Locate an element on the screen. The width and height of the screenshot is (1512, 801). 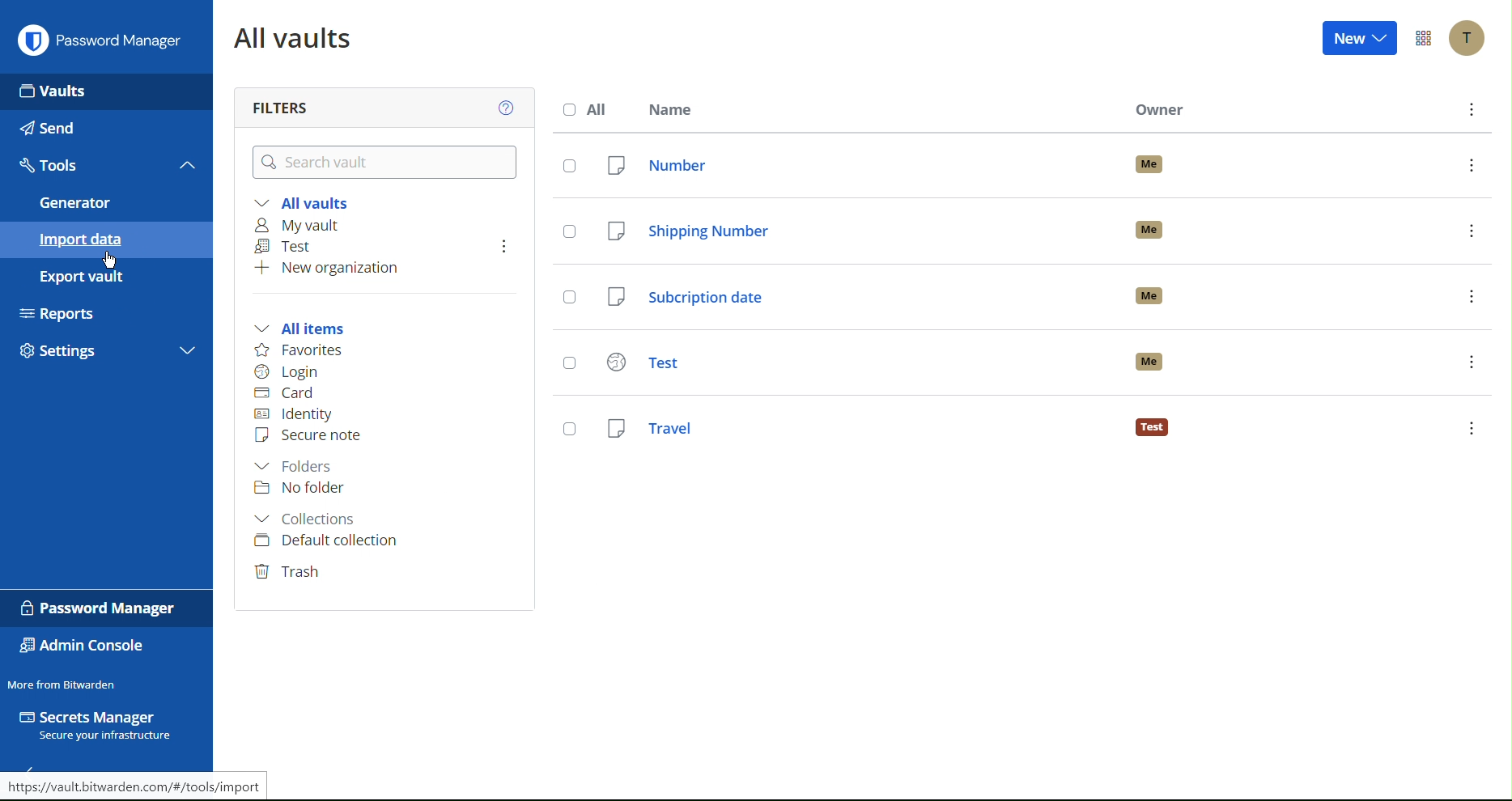
number is located at coordinates (852, 166).